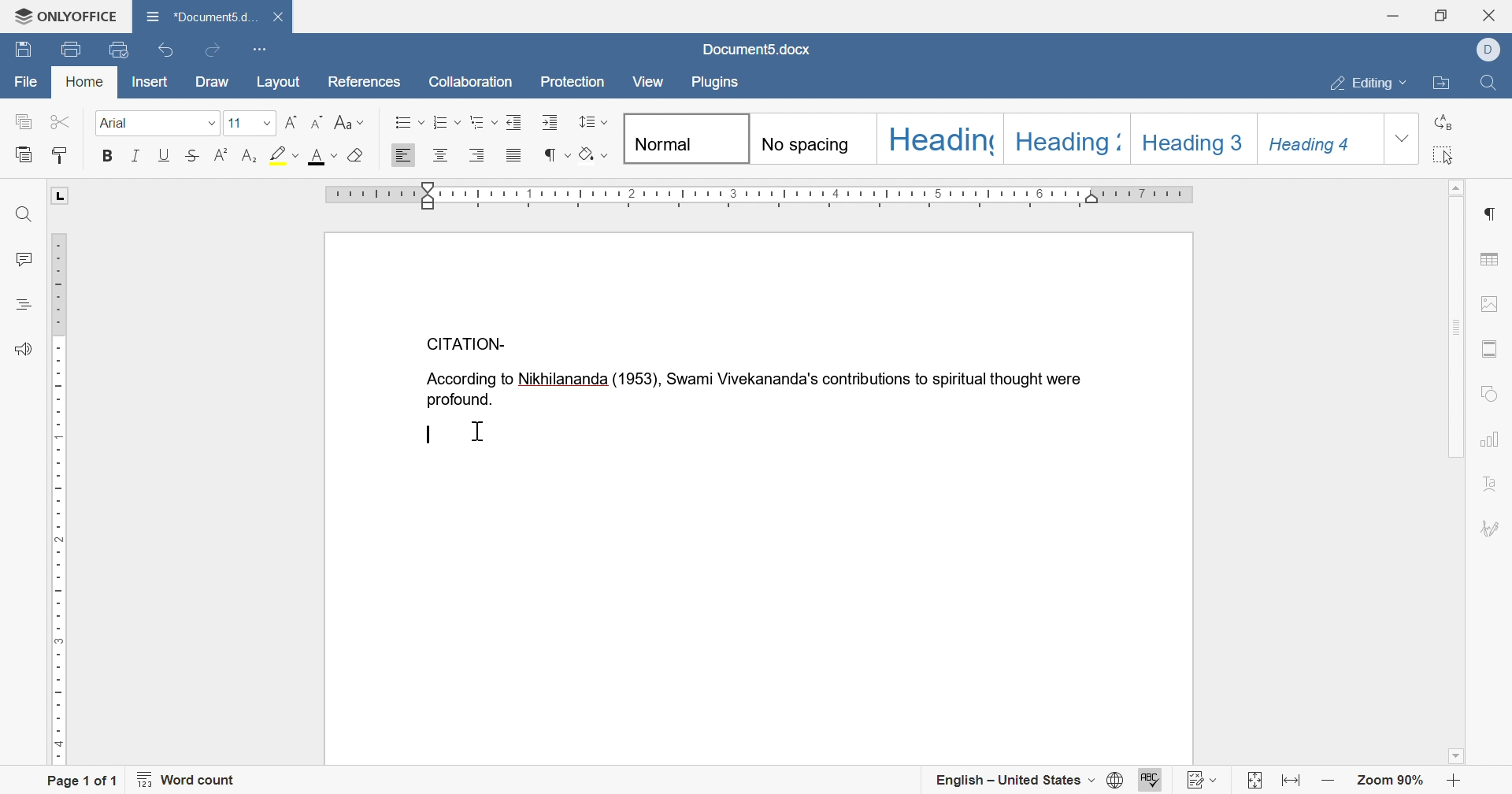 The height and width of the screenshot is (794, 1512). I want to click on track changes, so click(1203, 777).